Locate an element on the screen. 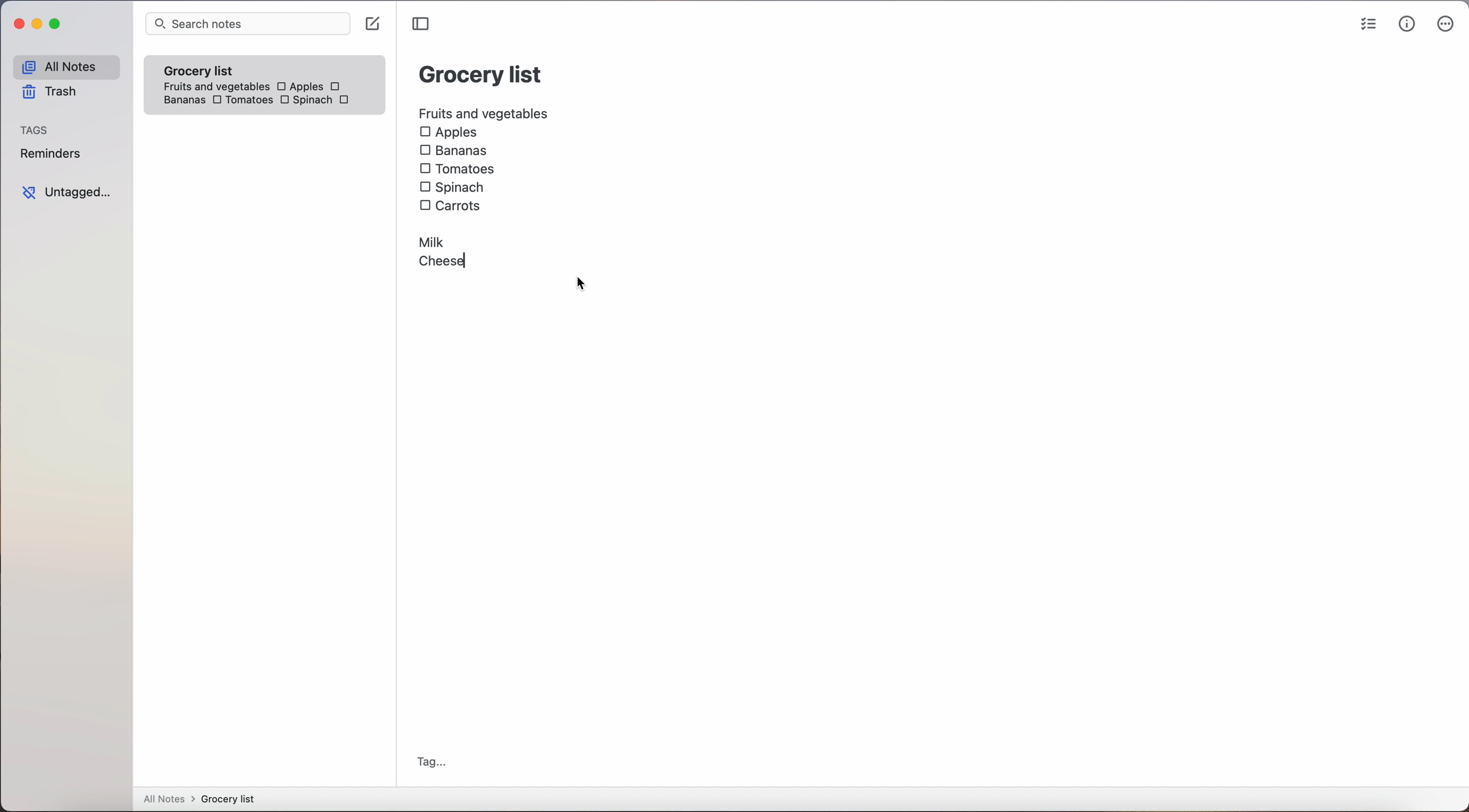 The height and width of the screenshot is (812, 1469). toggle sidebar is located at coordinates (420, 24).